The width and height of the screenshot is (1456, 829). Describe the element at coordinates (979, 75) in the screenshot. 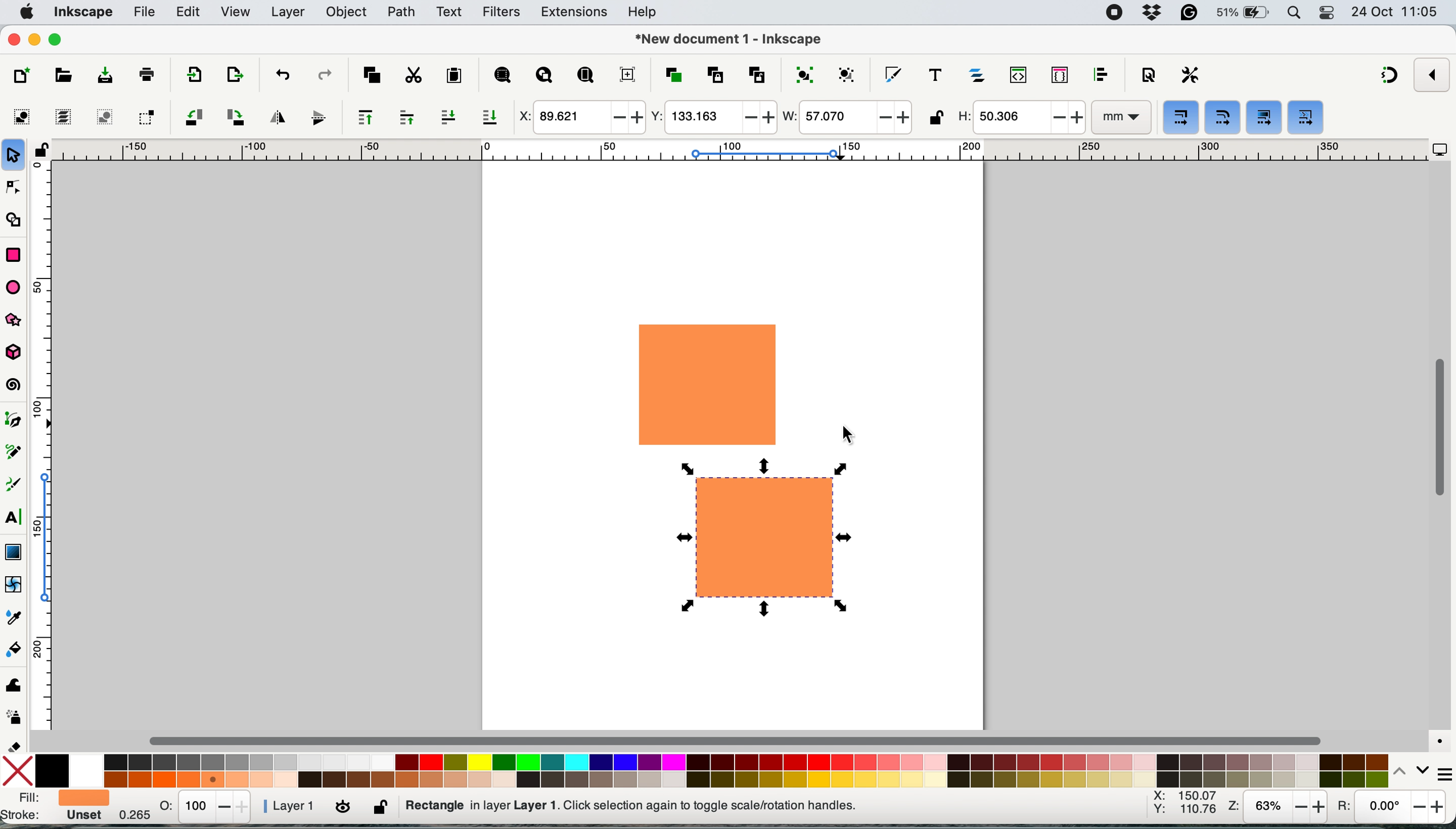

I see `layers and objects` at that location.